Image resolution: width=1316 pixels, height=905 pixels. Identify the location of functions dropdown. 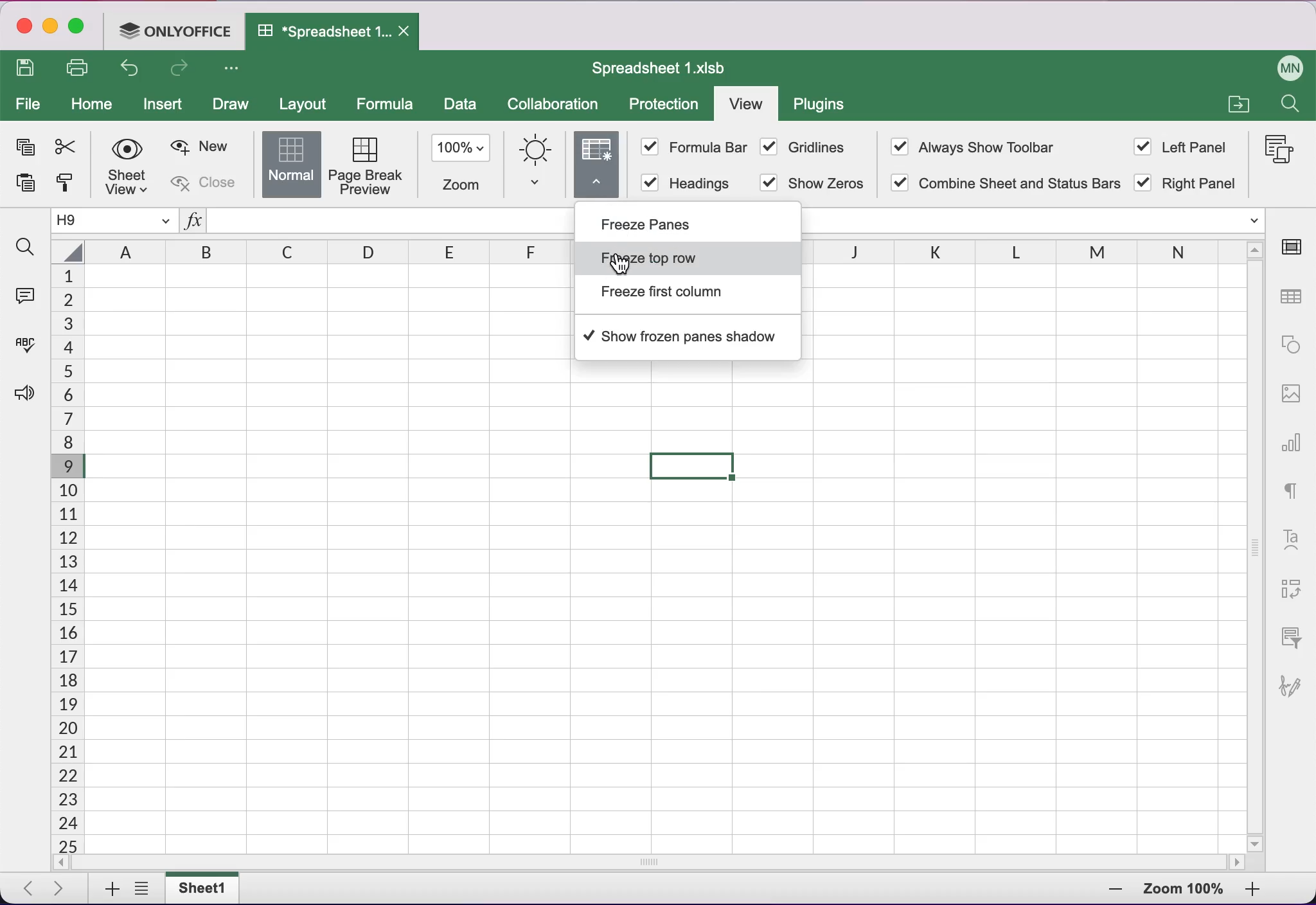
(1250, 222).